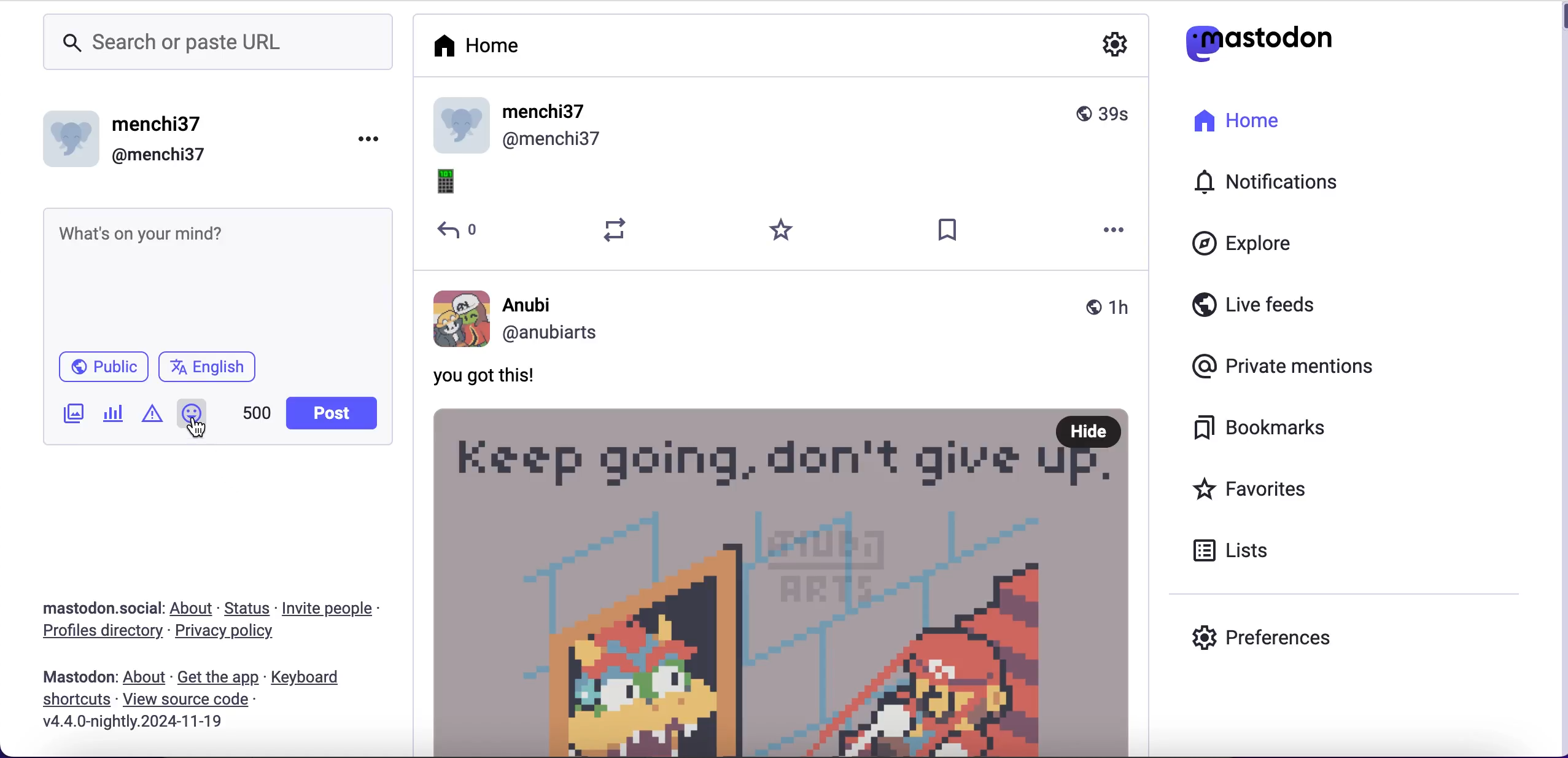  Describe the element at coordinates (101, 634) in the screenshot. I see `profiles directory` at that location.